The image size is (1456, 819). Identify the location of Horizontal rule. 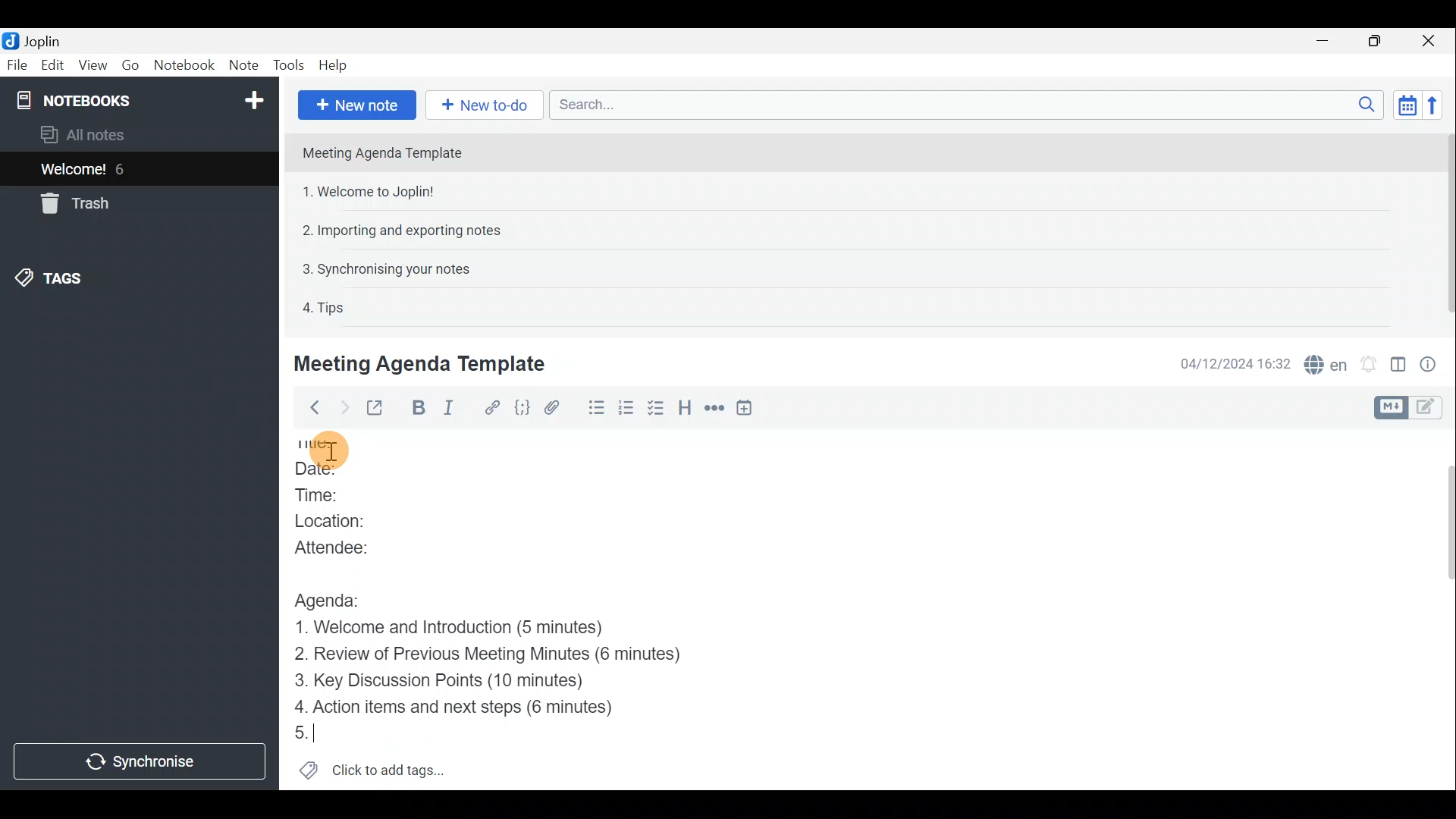
(715, 410).